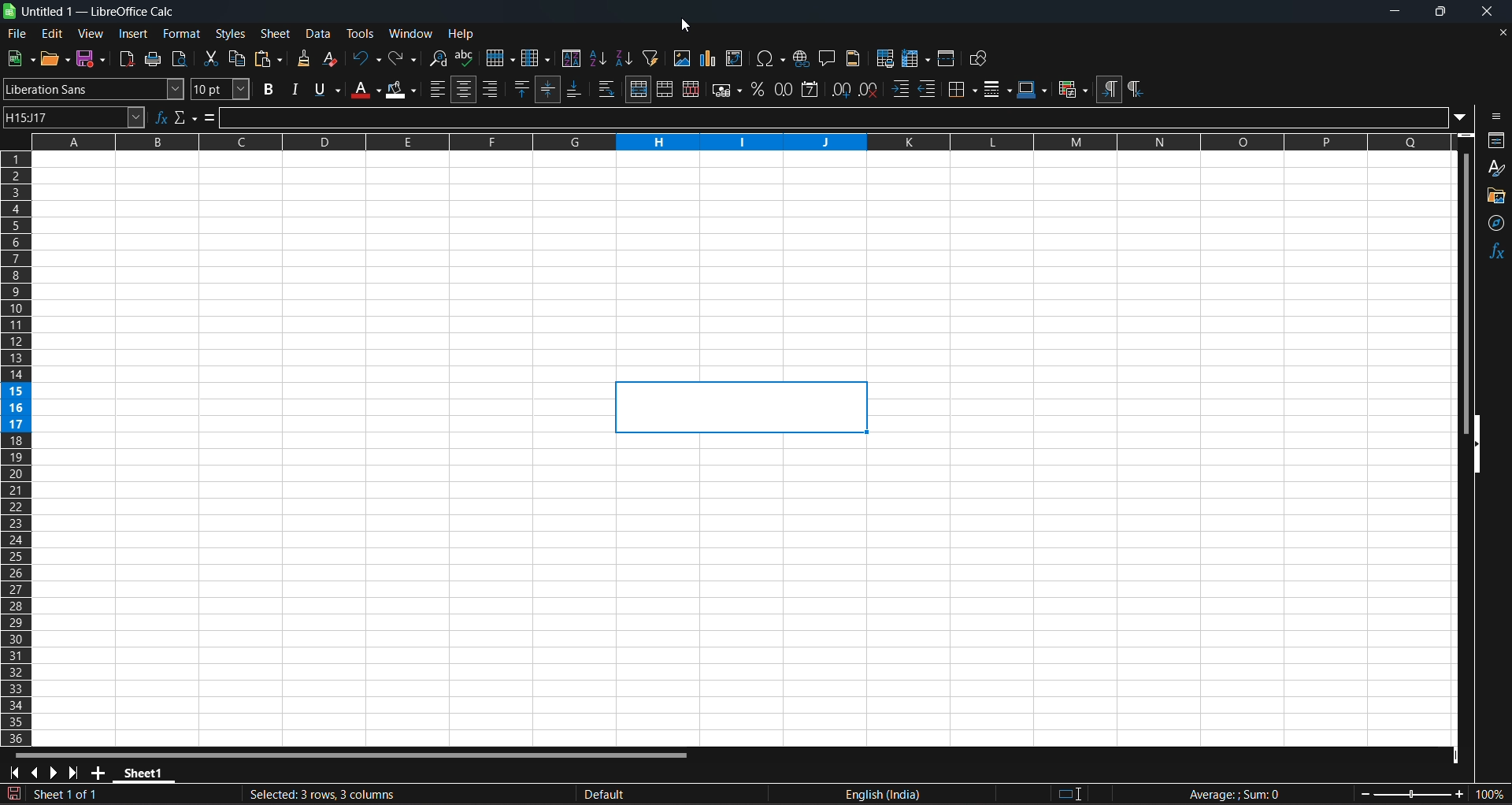  Describe the element at coordinates (787, 89) in the screenshot. I see `format as number` at that location.